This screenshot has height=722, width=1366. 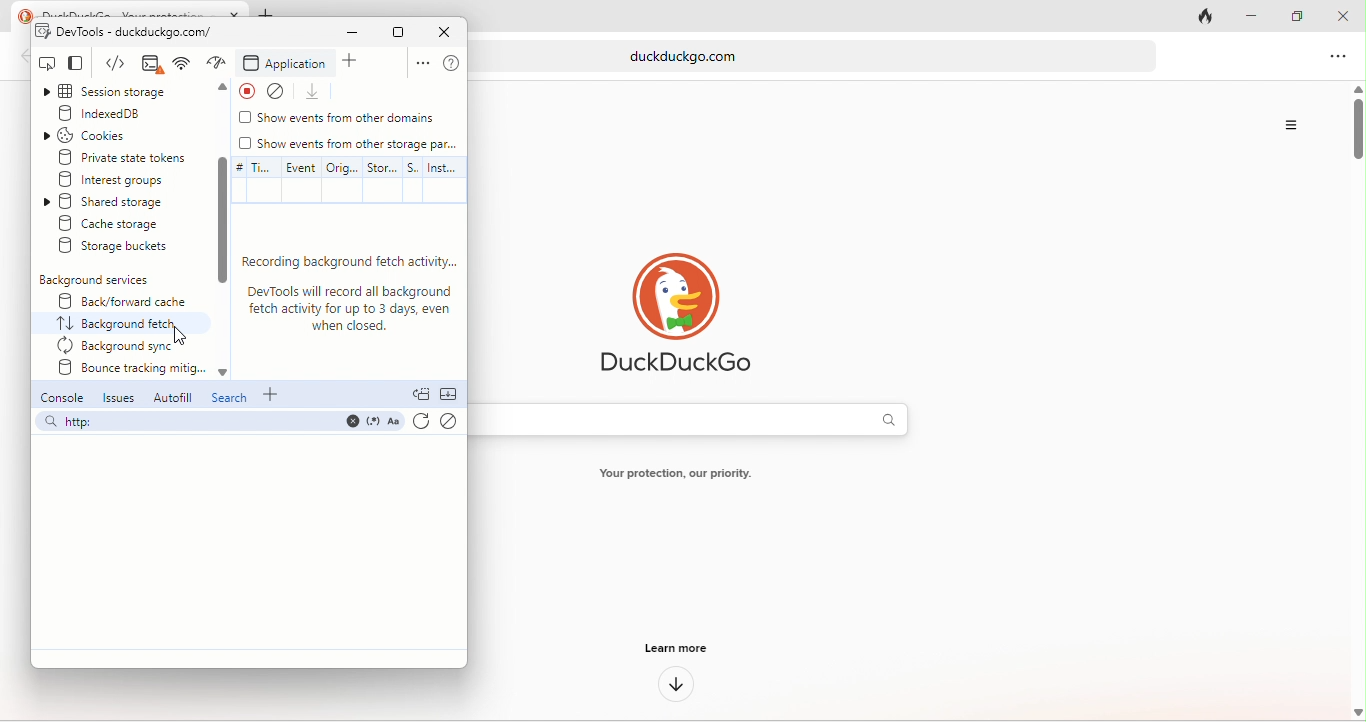 What do you see at coordinates (1244, 17) in the screenshot?
I see `minimize` at bounding box center [1244, 17].